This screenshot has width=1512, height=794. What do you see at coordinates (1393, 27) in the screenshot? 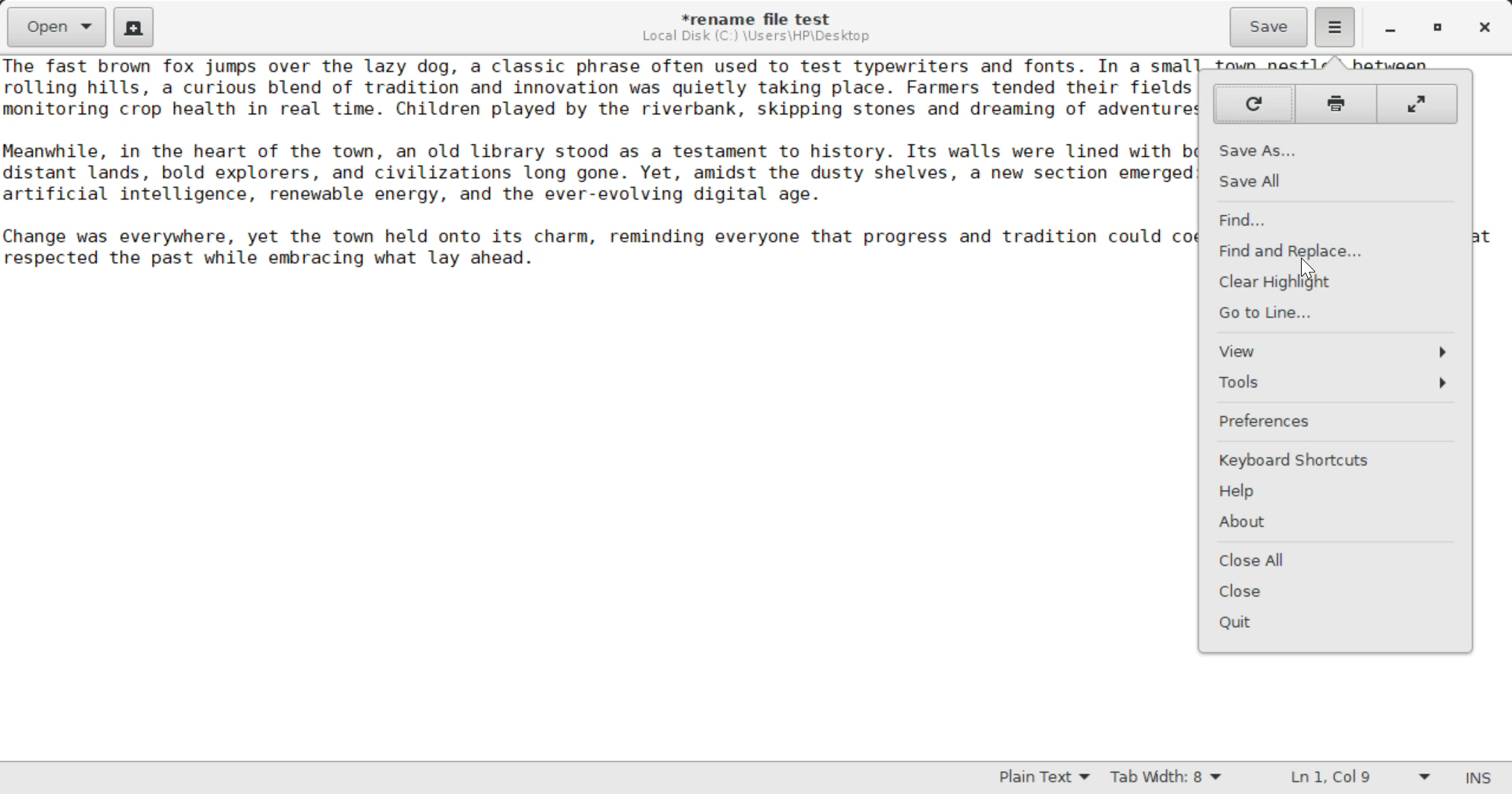
I see `Restore Down` at bounding box center [1393, 27].